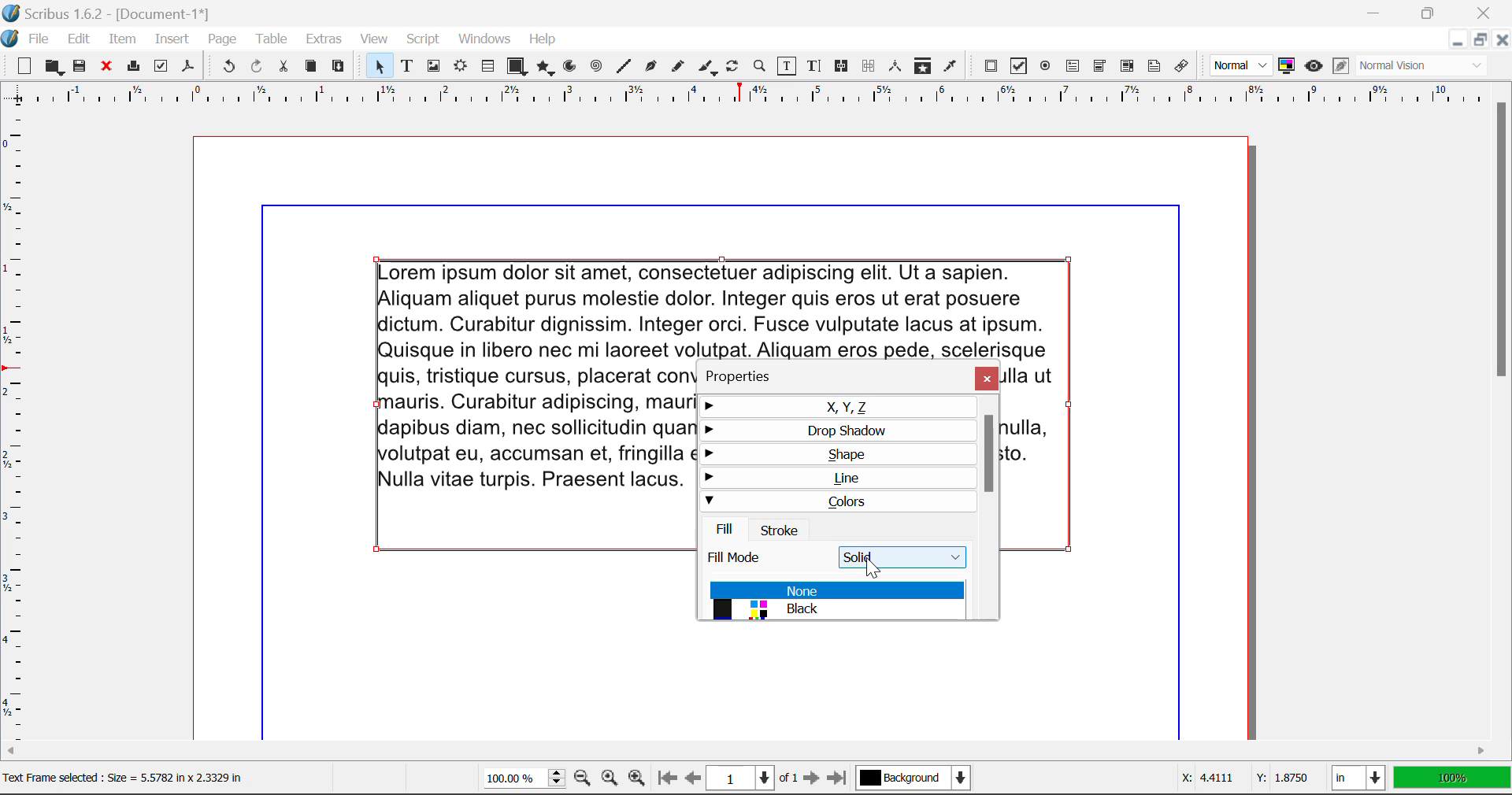 Image resolution: width=1512 pixels, height=795 pixels. I want to click on Cursor Position, so click(873, 567).